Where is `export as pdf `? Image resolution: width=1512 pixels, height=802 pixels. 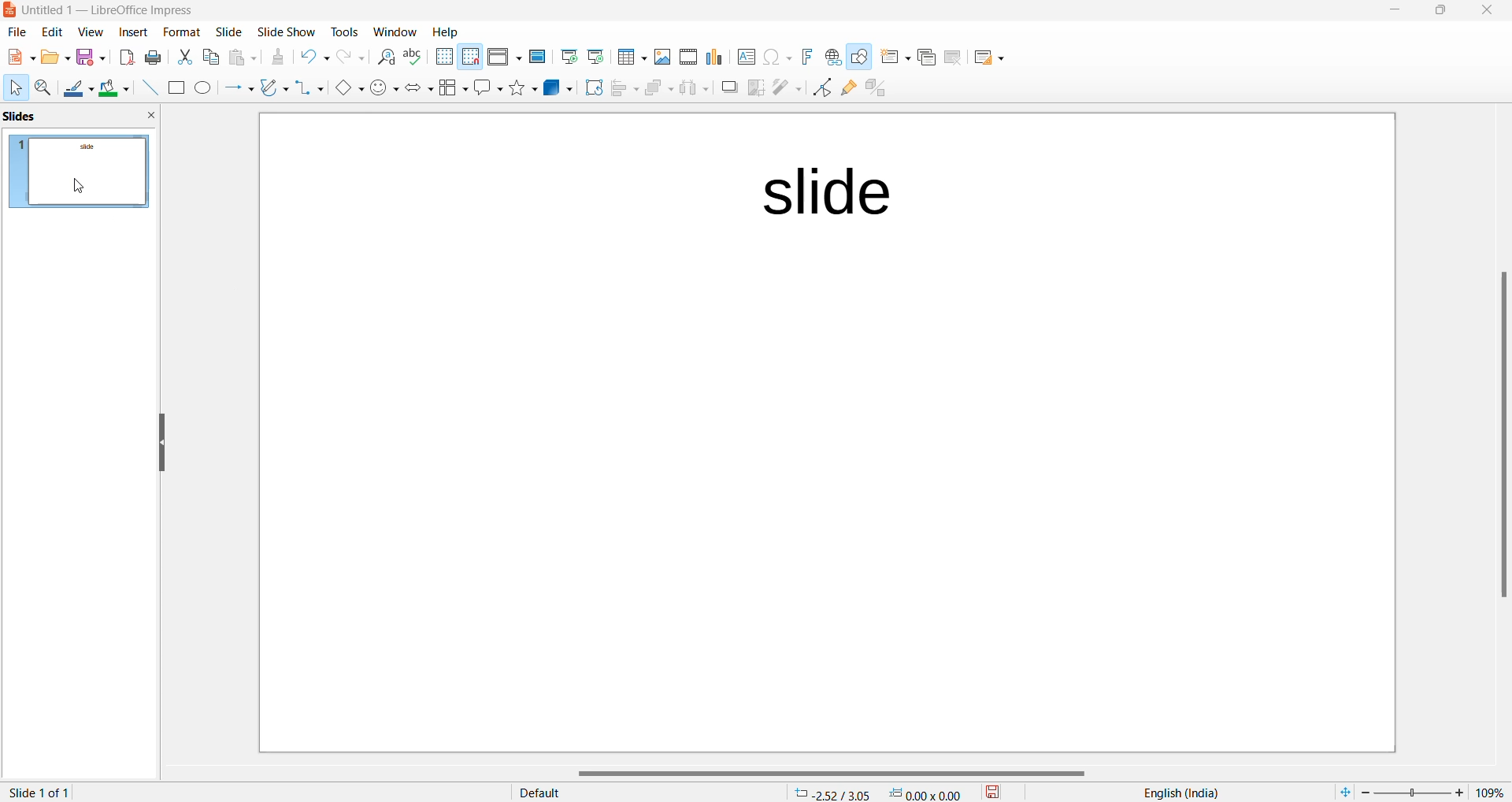
export as pdf  is located at coordinates (126, 57).